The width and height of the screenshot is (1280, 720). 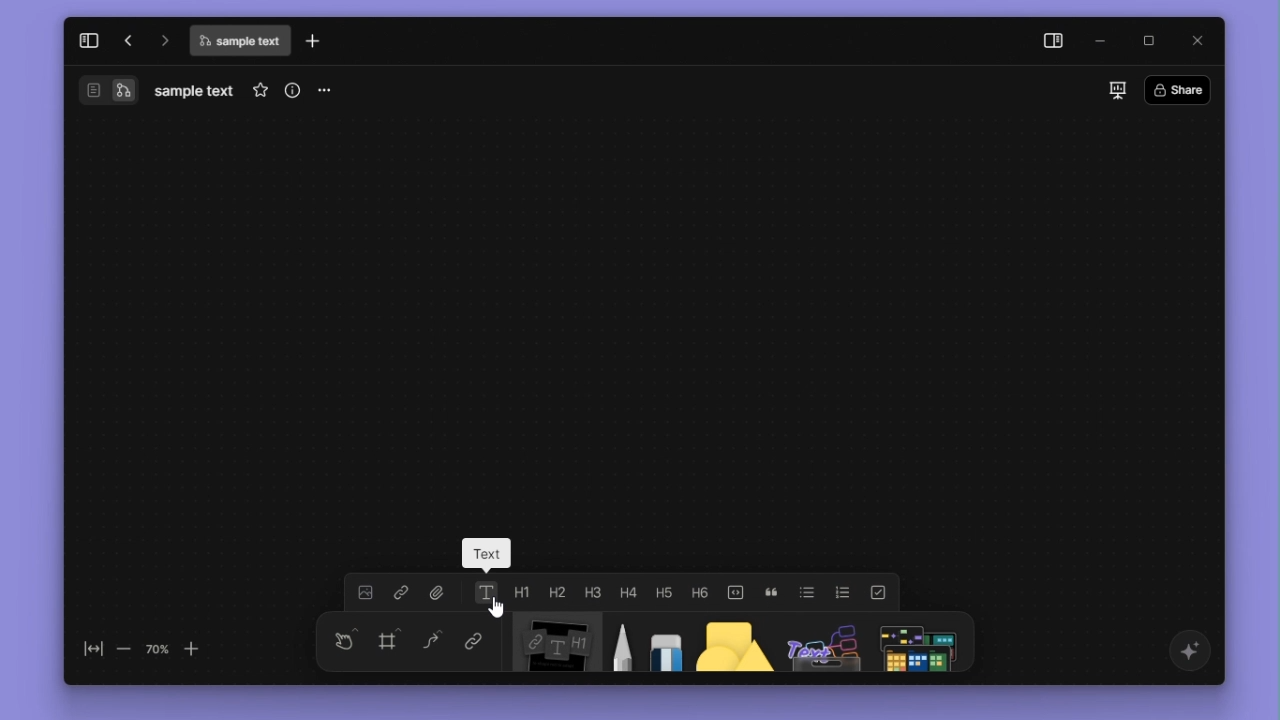 I want to click on link, so click(x=470, y=643).